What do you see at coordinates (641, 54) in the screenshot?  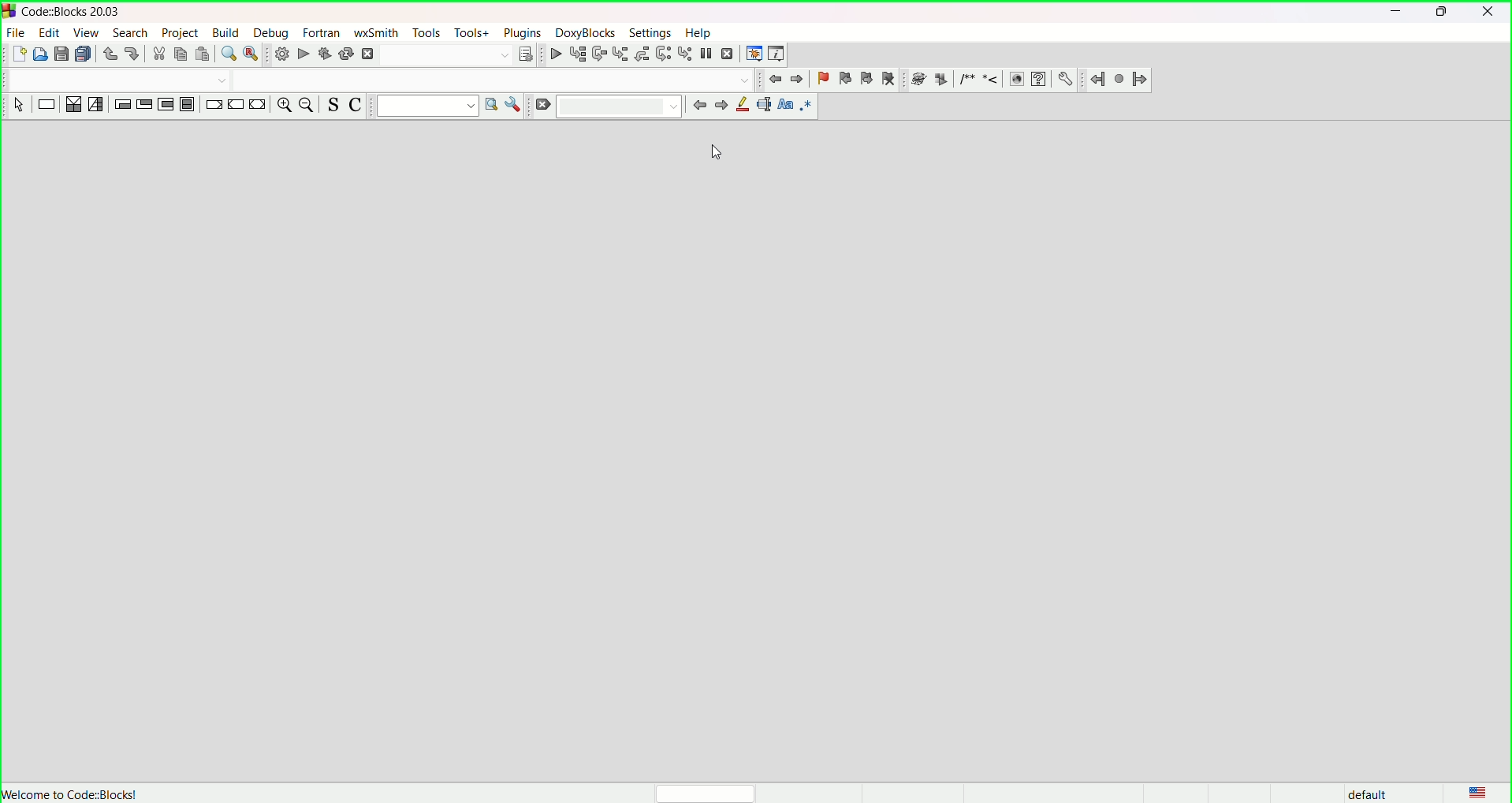 I see `step out` at bounding box center [641, 54].